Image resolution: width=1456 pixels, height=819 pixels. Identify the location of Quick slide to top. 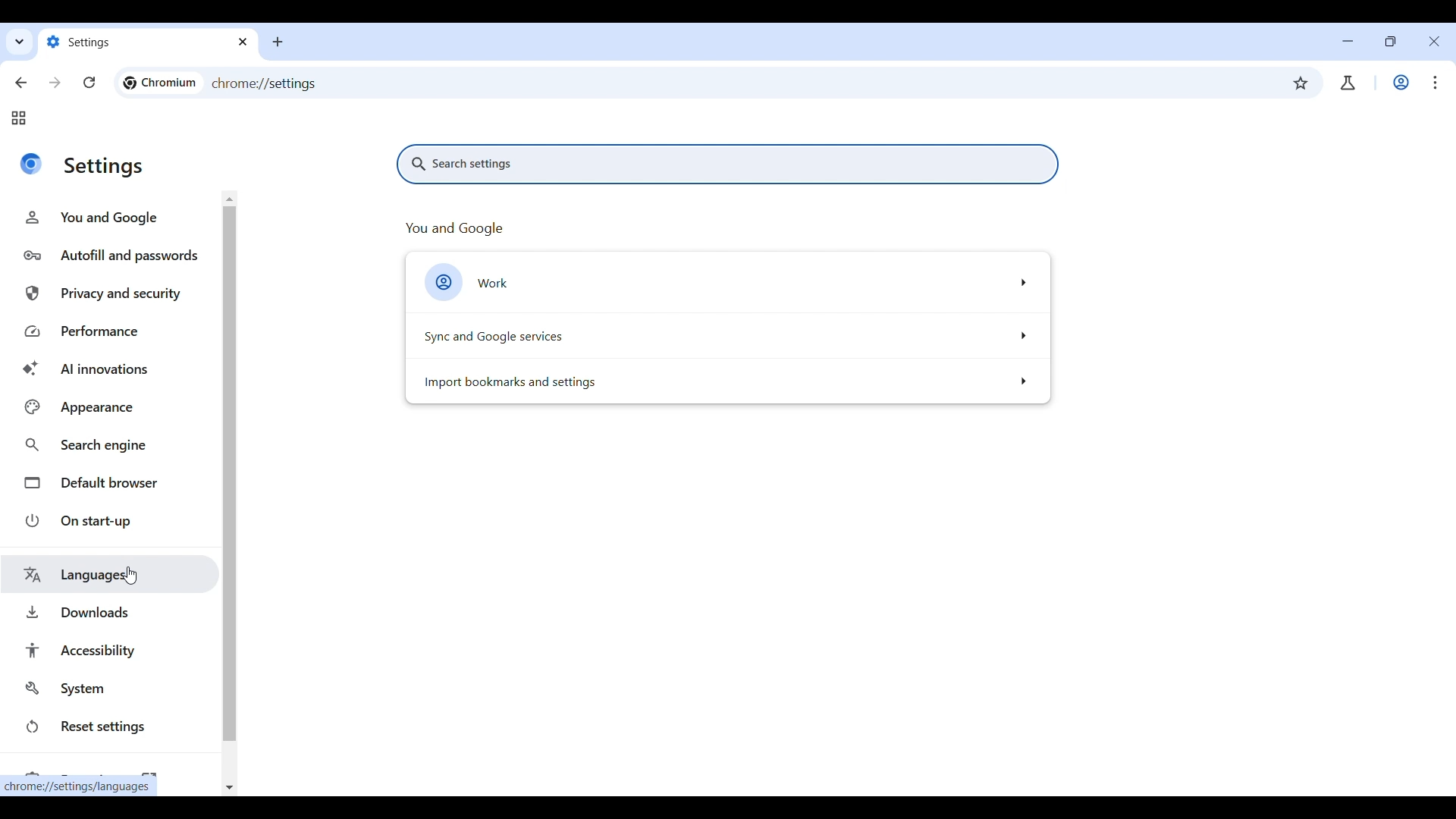
(229, 199).